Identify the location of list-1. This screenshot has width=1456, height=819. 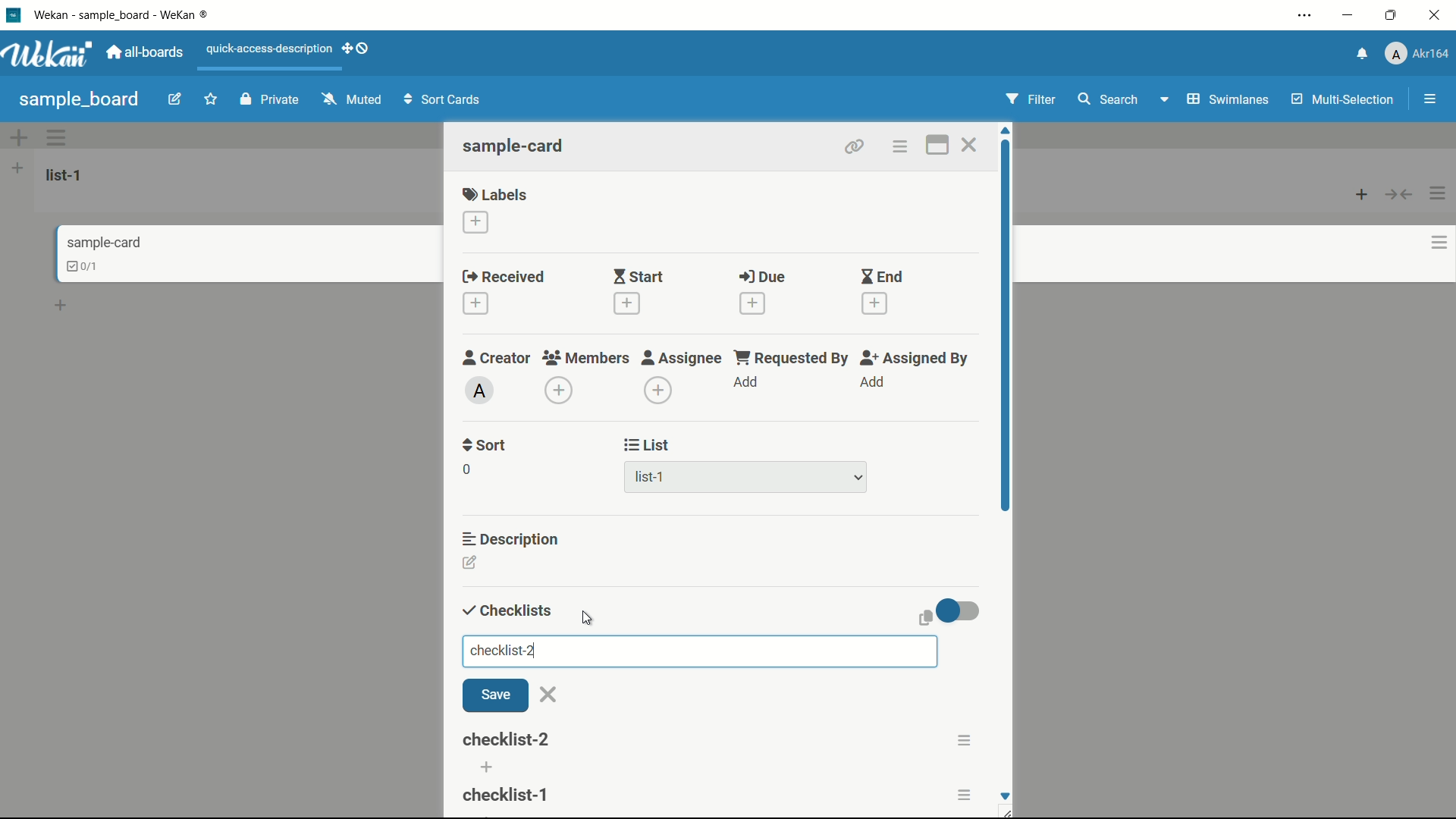
(652, 480).